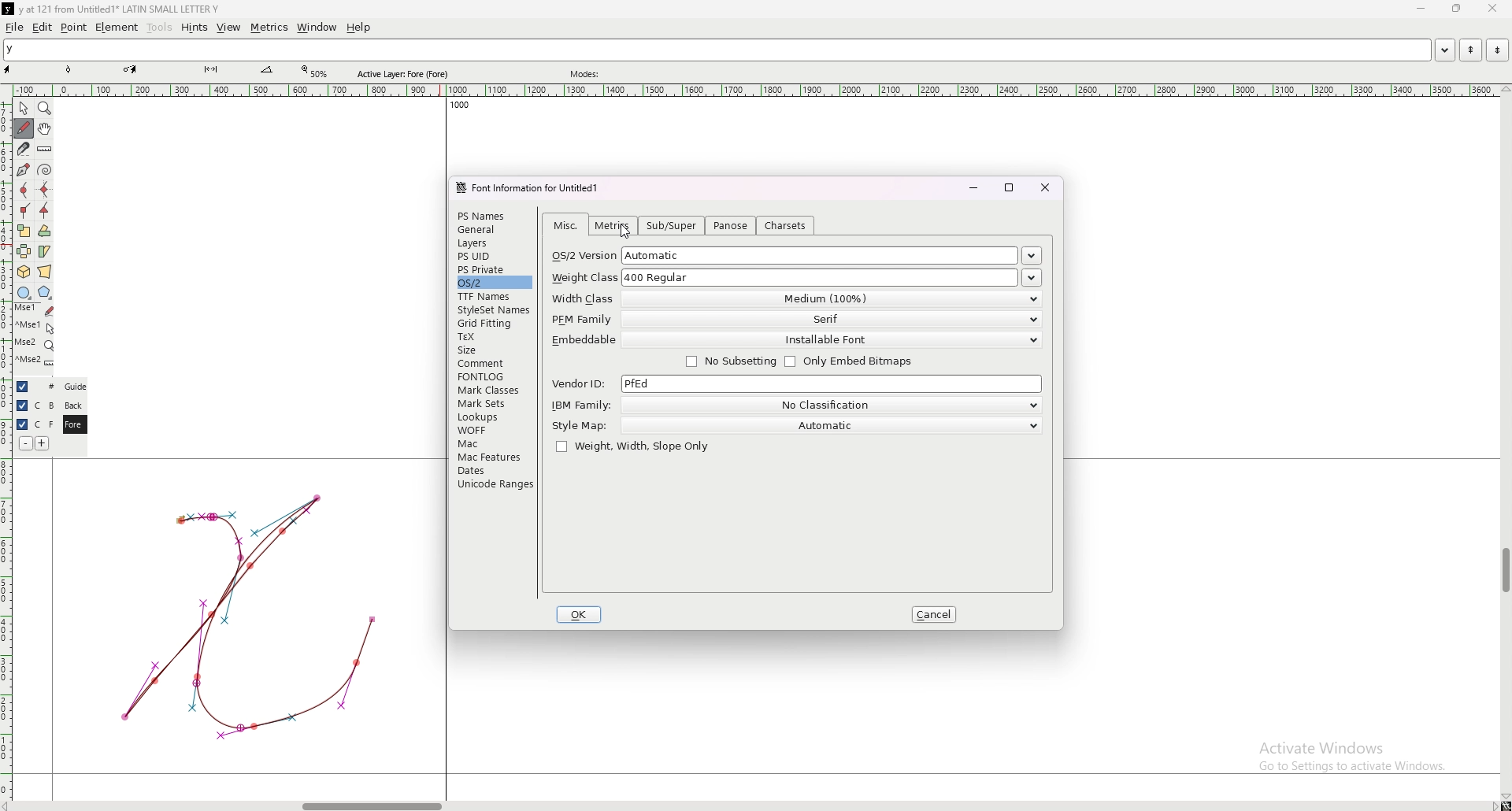 The image size is (1512, 811). I want to click on ps private, so click(495, 269).